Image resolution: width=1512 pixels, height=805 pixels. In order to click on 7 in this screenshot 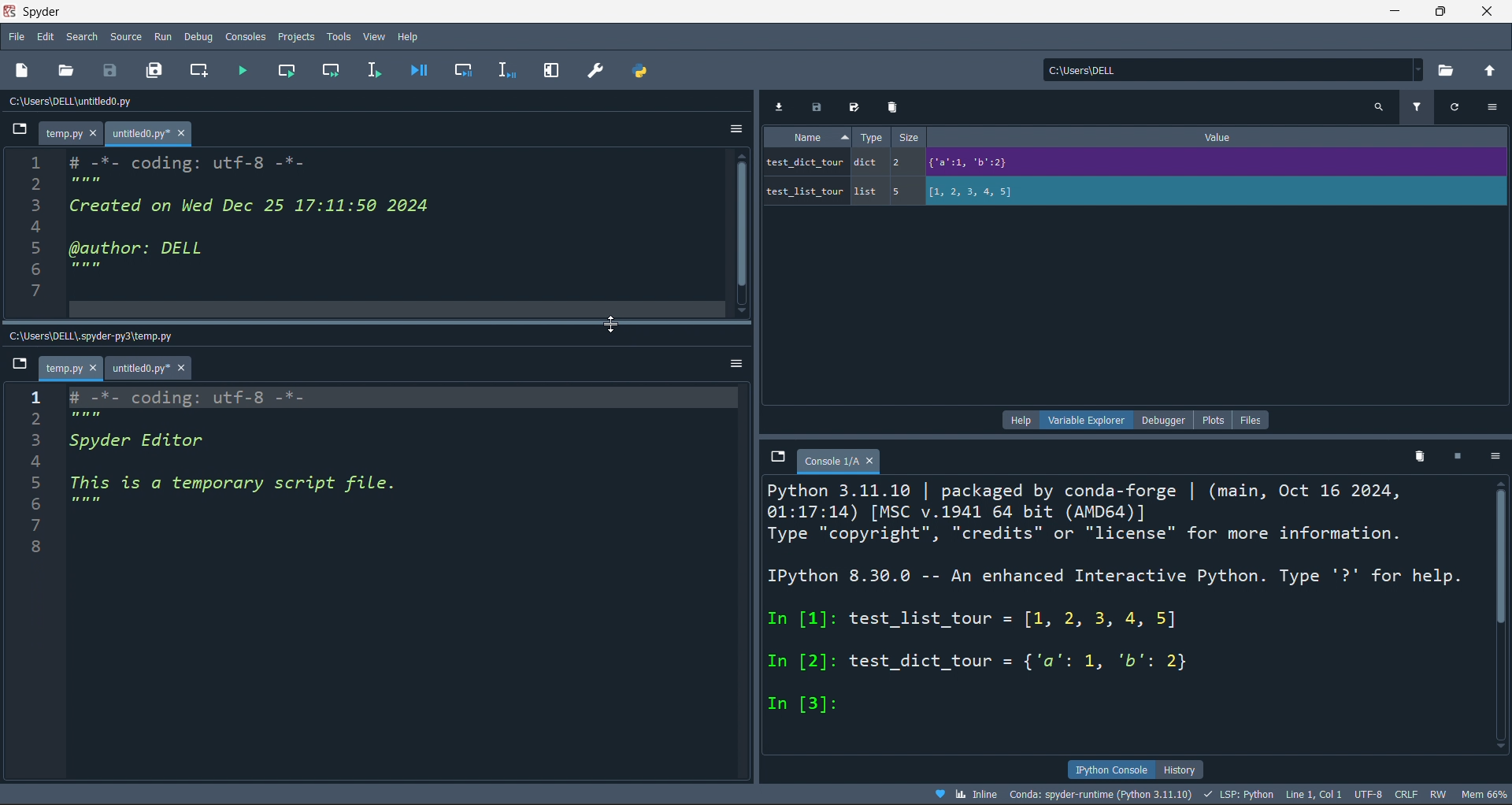, I will do `click(63, 522)`.